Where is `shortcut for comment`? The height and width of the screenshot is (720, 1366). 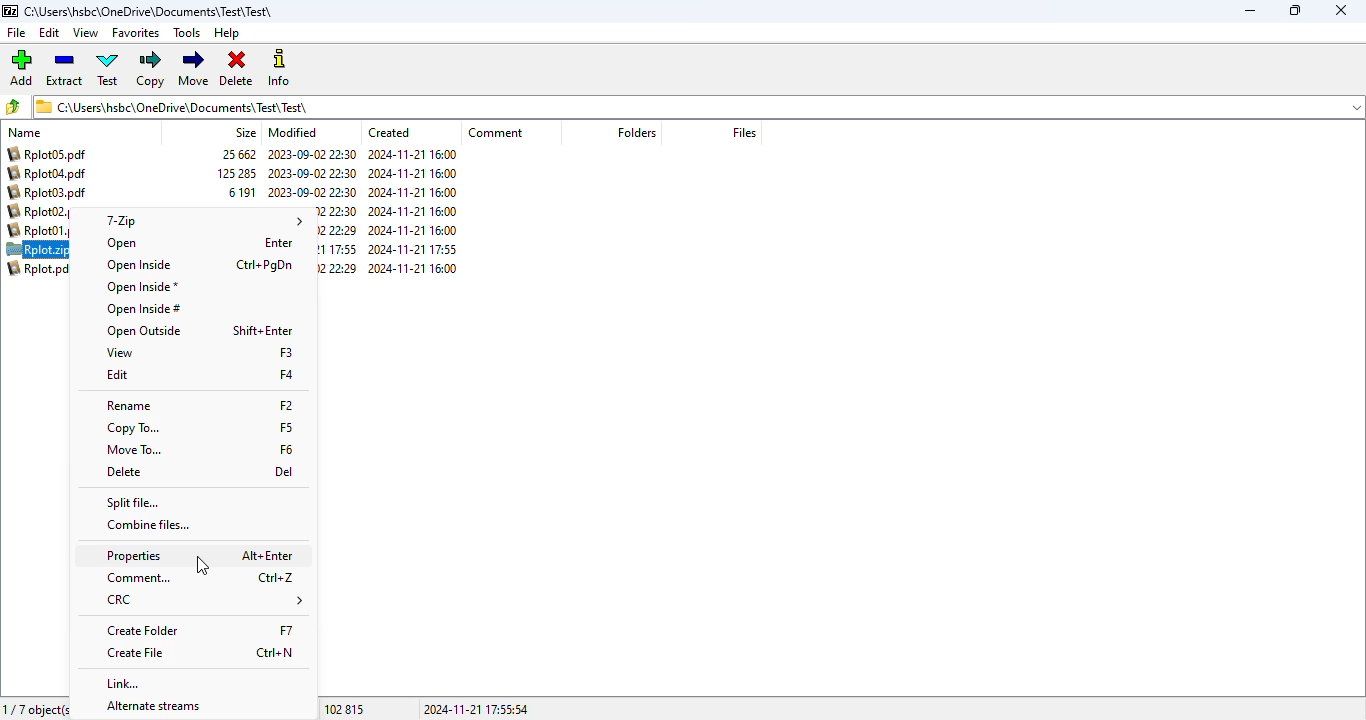
shortcut for comment is located at coordinates (276, 578).